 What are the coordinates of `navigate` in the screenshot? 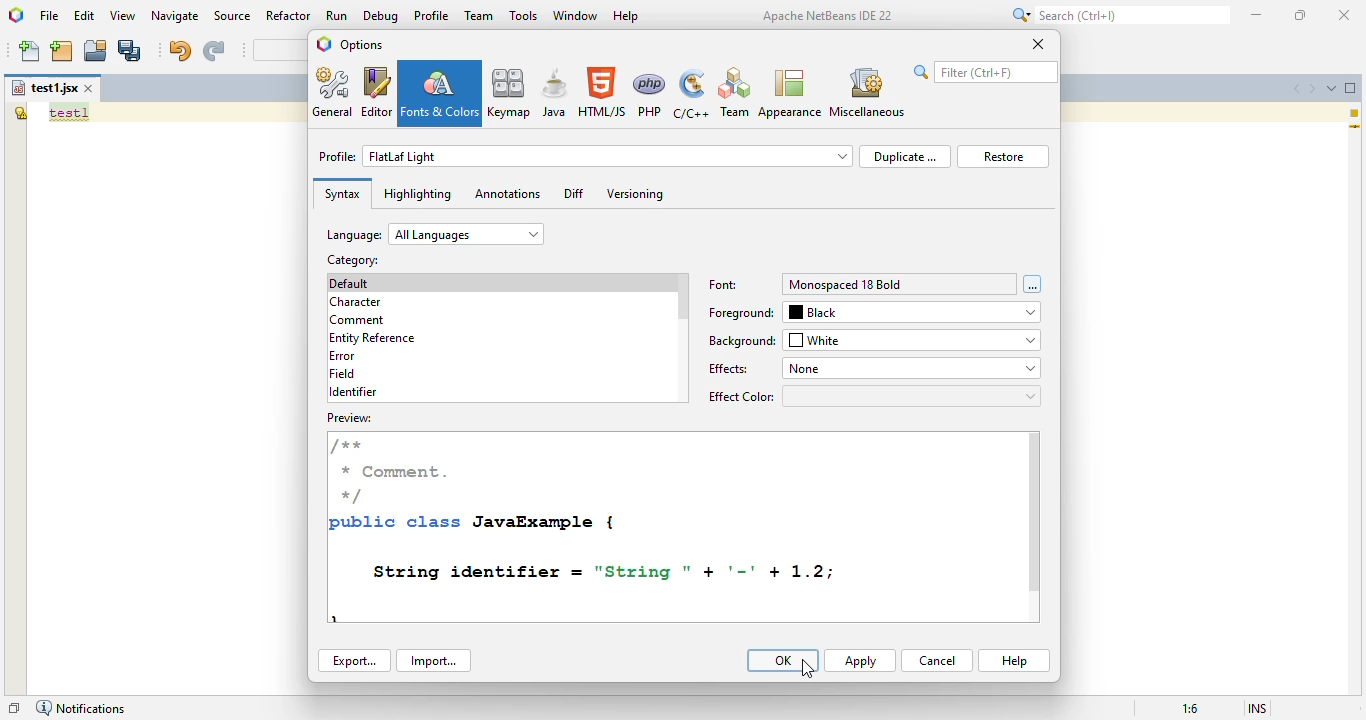 It's located at (175, 15).